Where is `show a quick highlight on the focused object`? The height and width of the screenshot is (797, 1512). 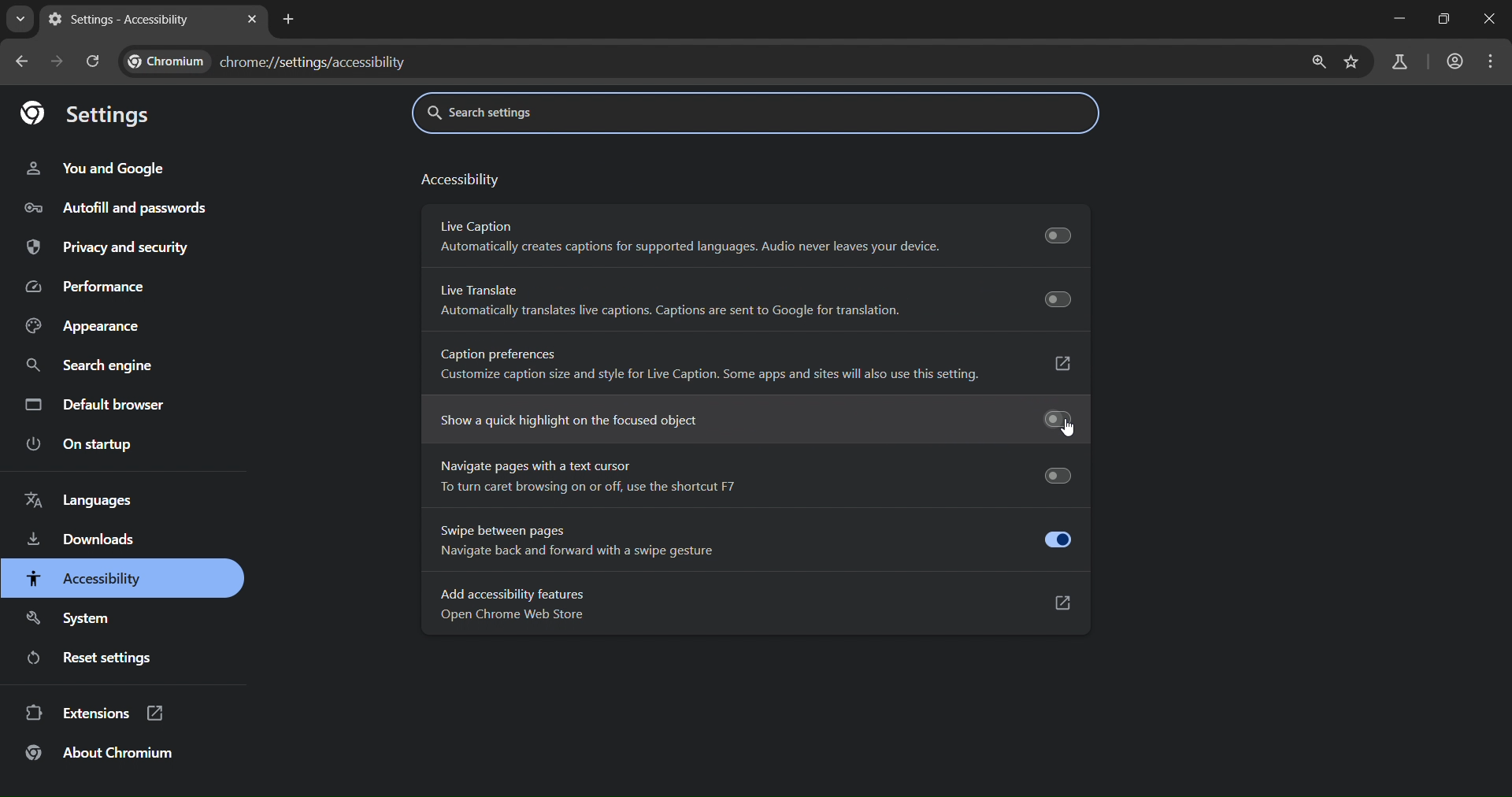
show a quick highlight on the focused object is located at coordinates (679, 419).